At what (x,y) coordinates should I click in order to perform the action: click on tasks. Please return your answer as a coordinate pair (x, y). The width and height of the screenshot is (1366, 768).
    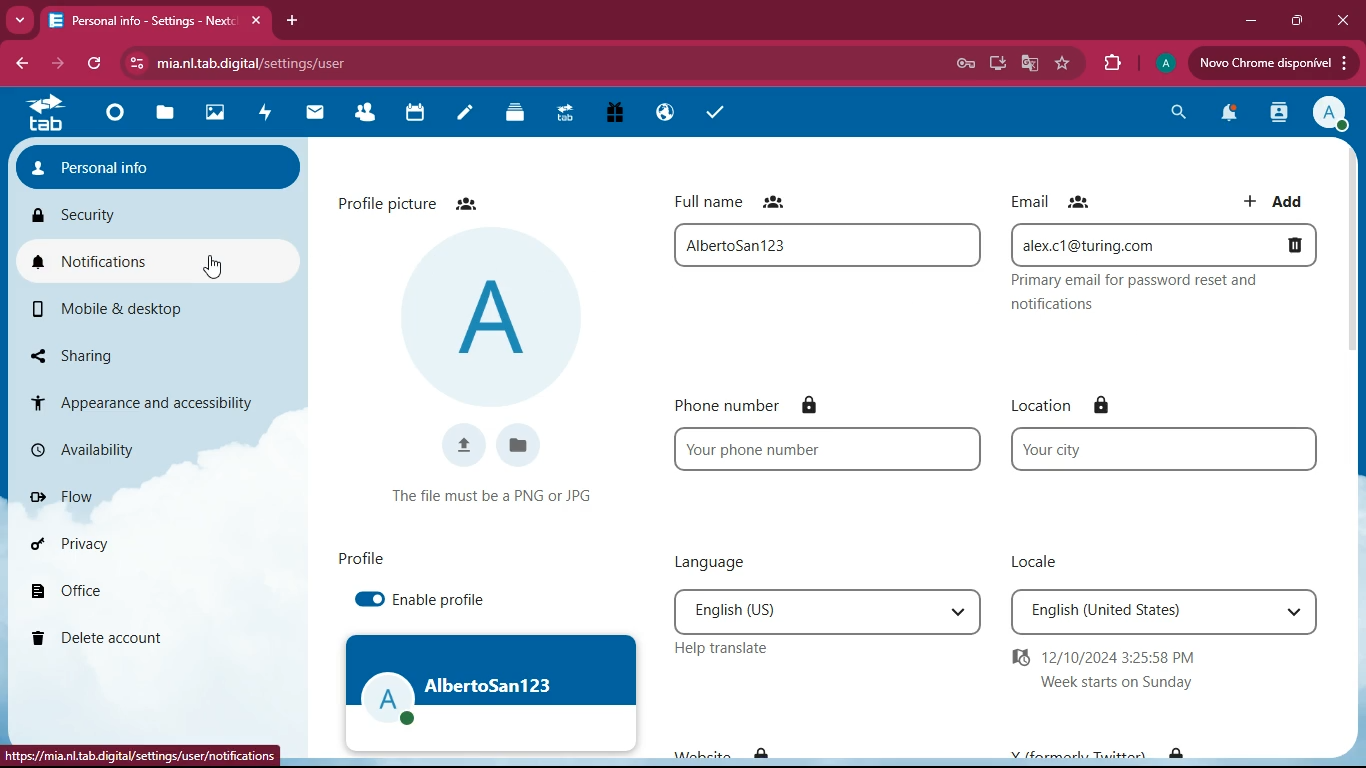
    Looking at the image, I should click on (707, 112).